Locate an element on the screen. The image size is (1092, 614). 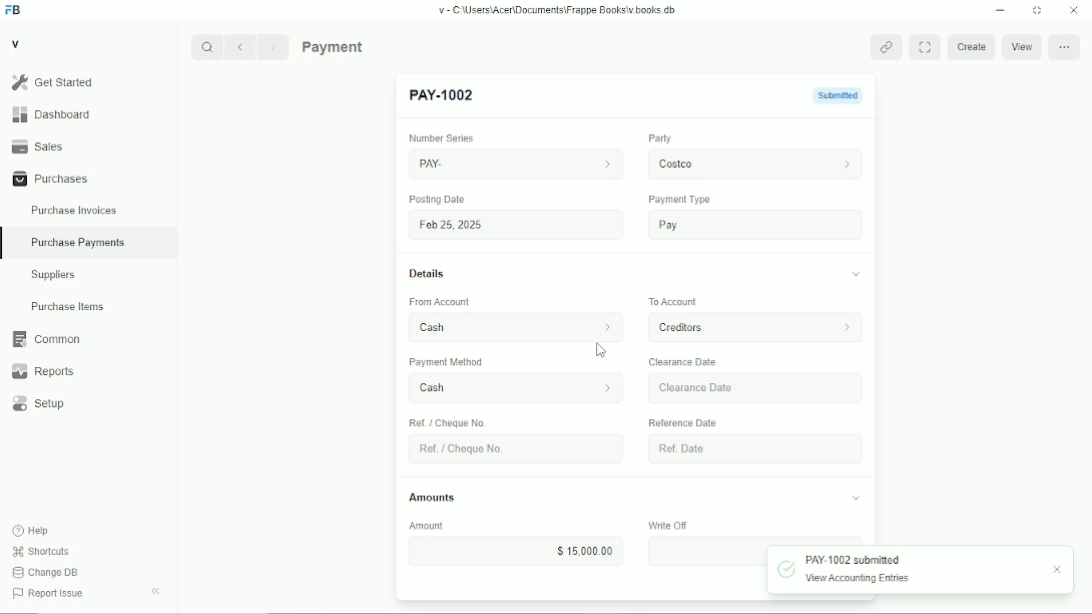
Minimize is located at coordinates (1000, 10).